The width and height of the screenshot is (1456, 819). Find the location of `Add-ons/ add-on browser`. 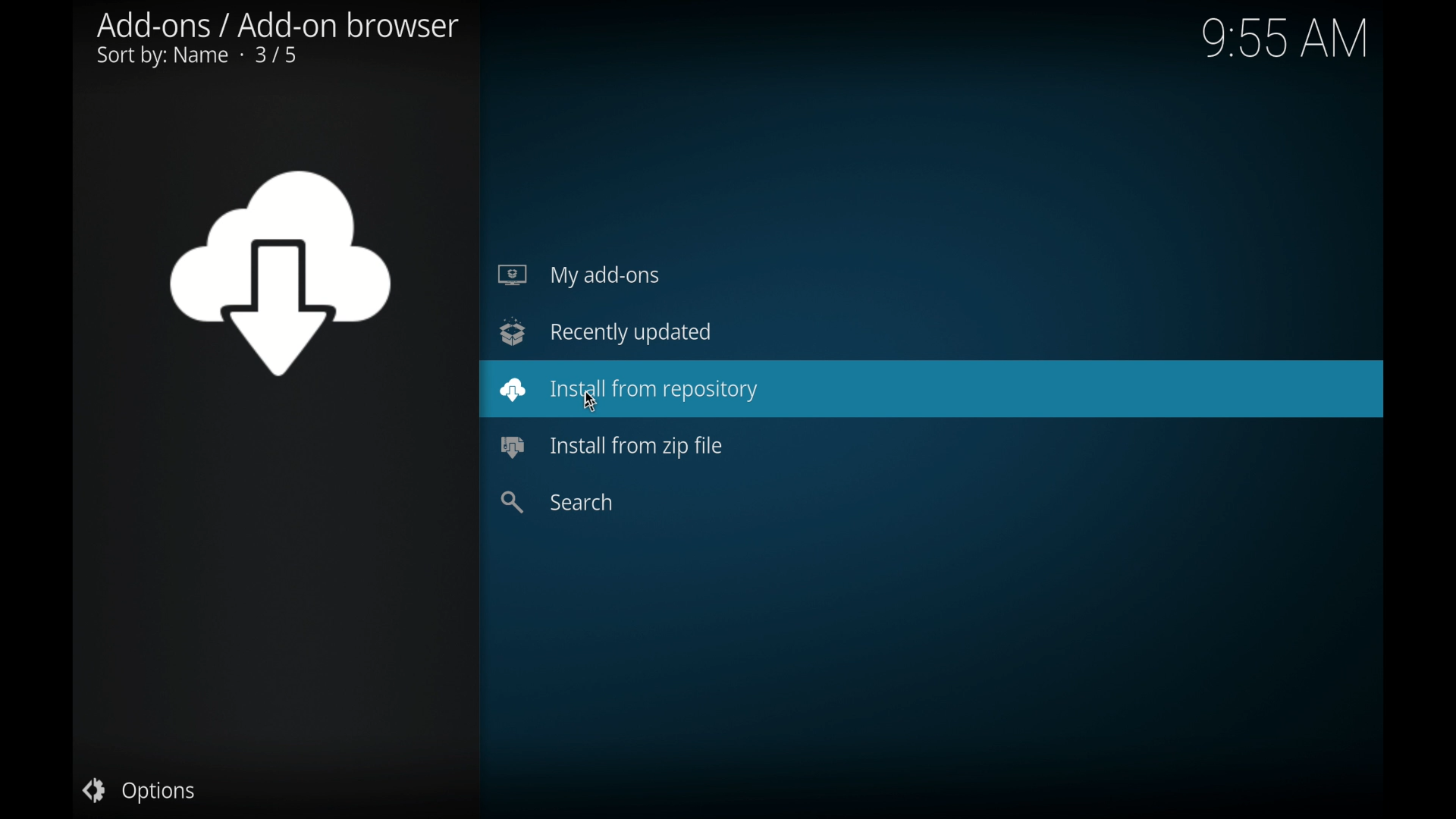

Add-ons/ add-on browser is located at coordinates (282, 24).